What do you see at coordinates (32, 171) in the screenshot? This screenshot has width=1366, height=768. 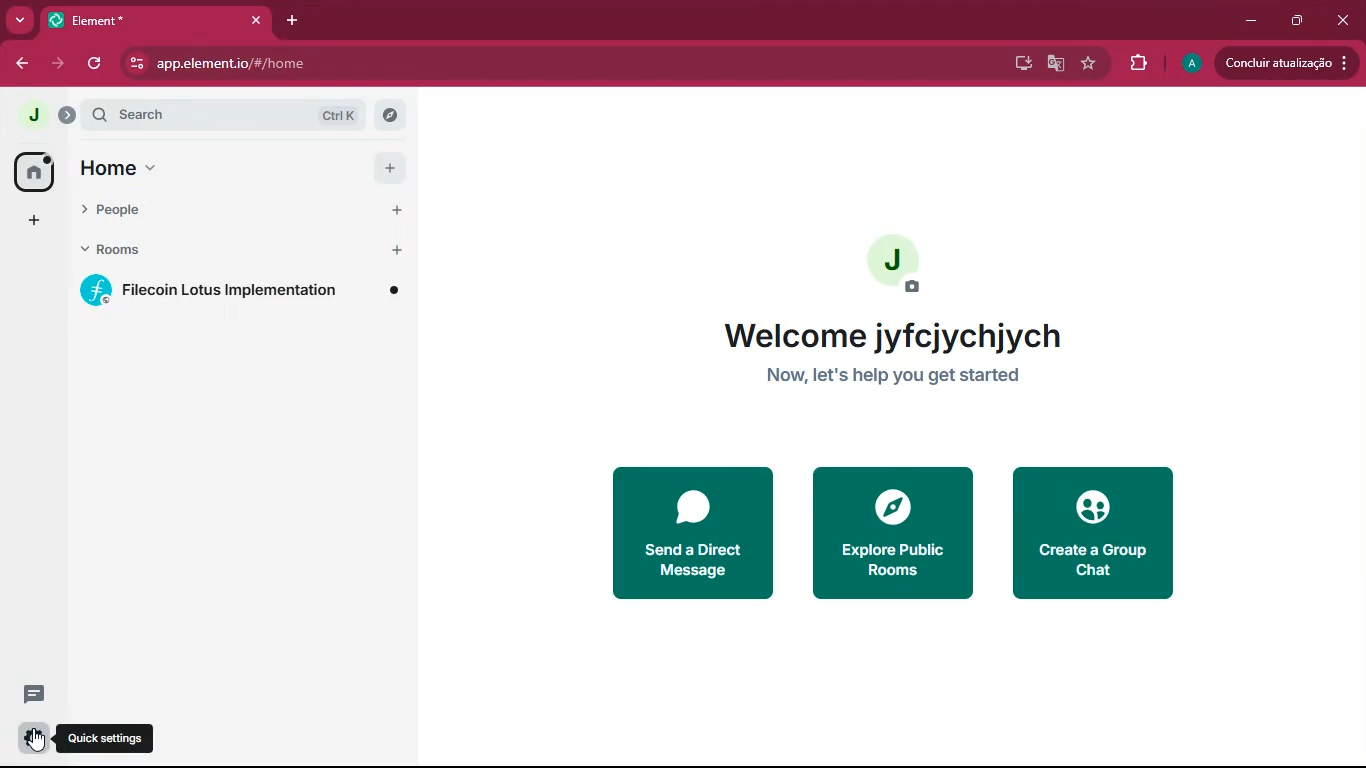 I see `home` at bounding box center [32, 171].